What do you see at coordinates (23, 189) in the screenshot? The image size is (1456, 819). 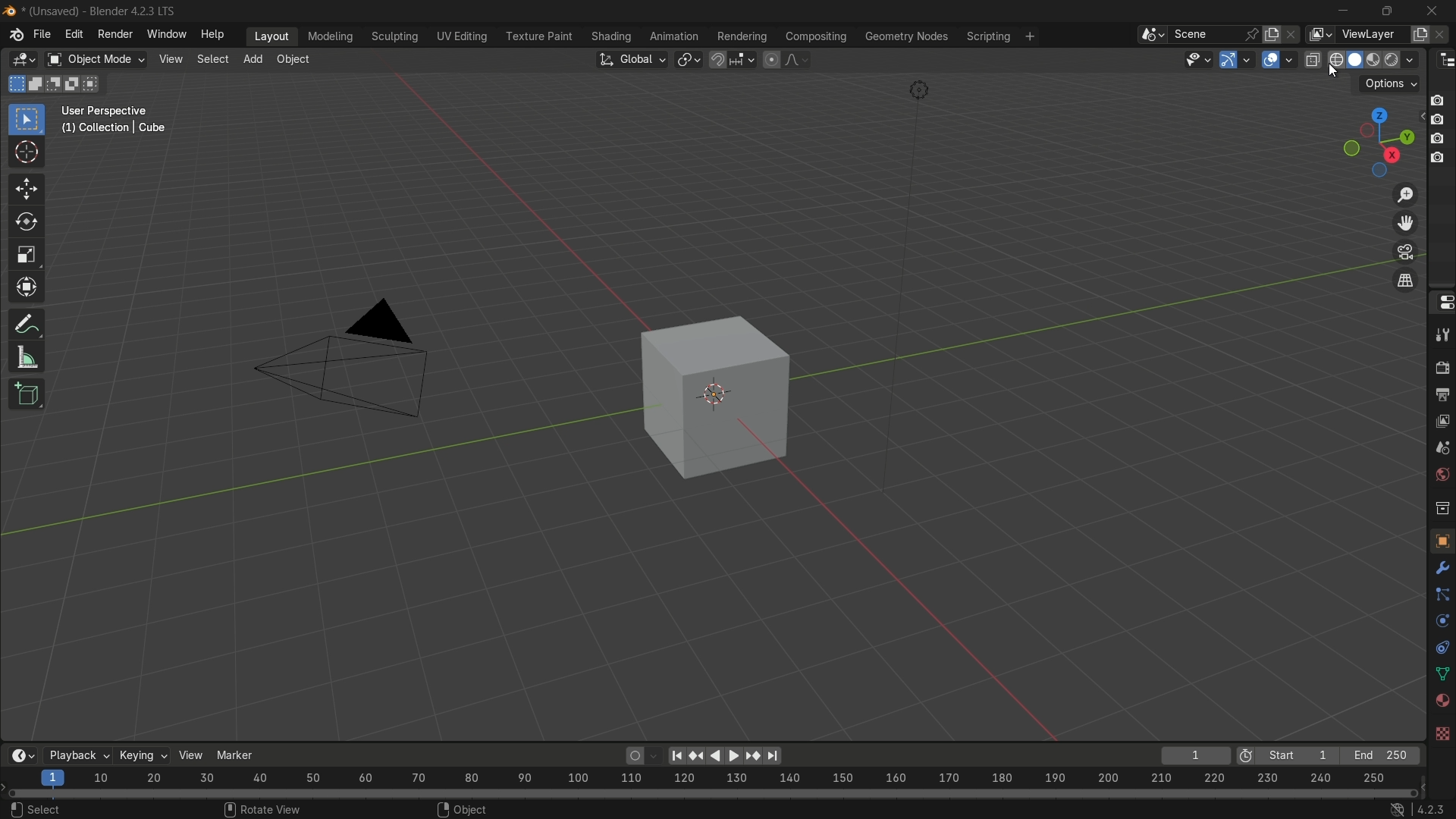 I see `move` at bounding box center [23, 189].